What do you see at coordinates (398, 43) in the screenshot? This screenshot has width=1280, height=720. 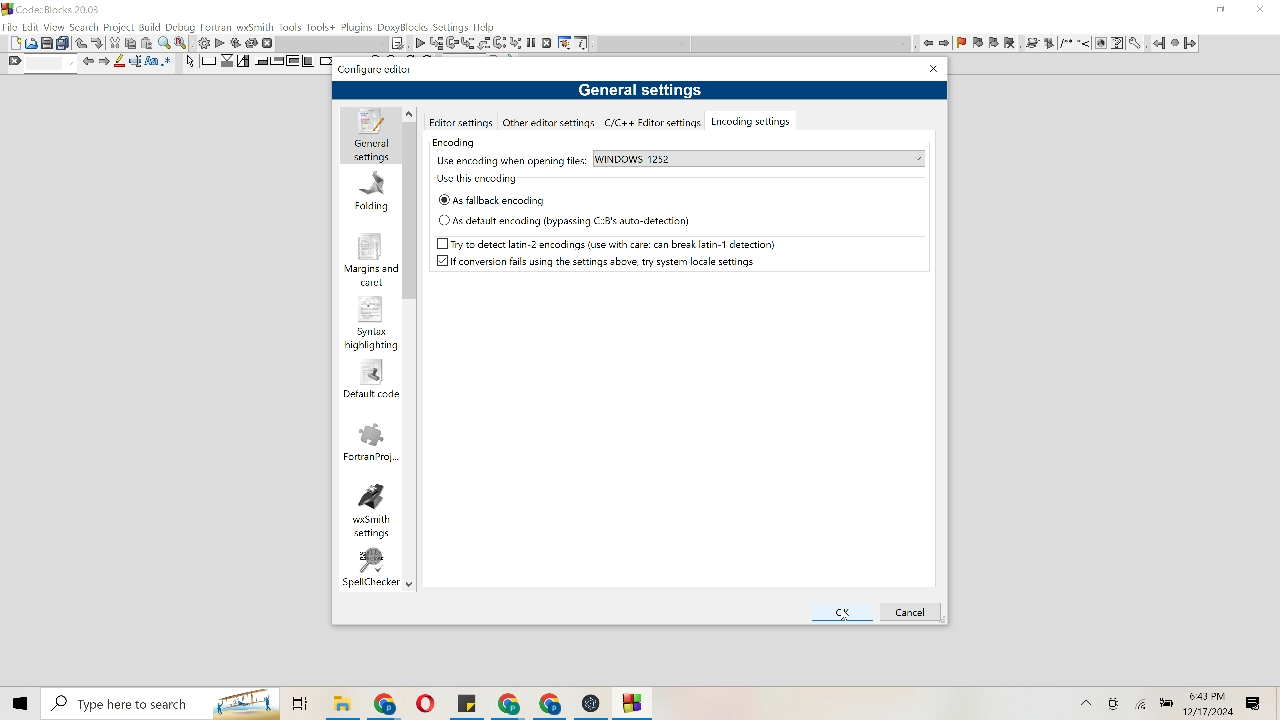 I see `Note` at bounding box center [398, 43].